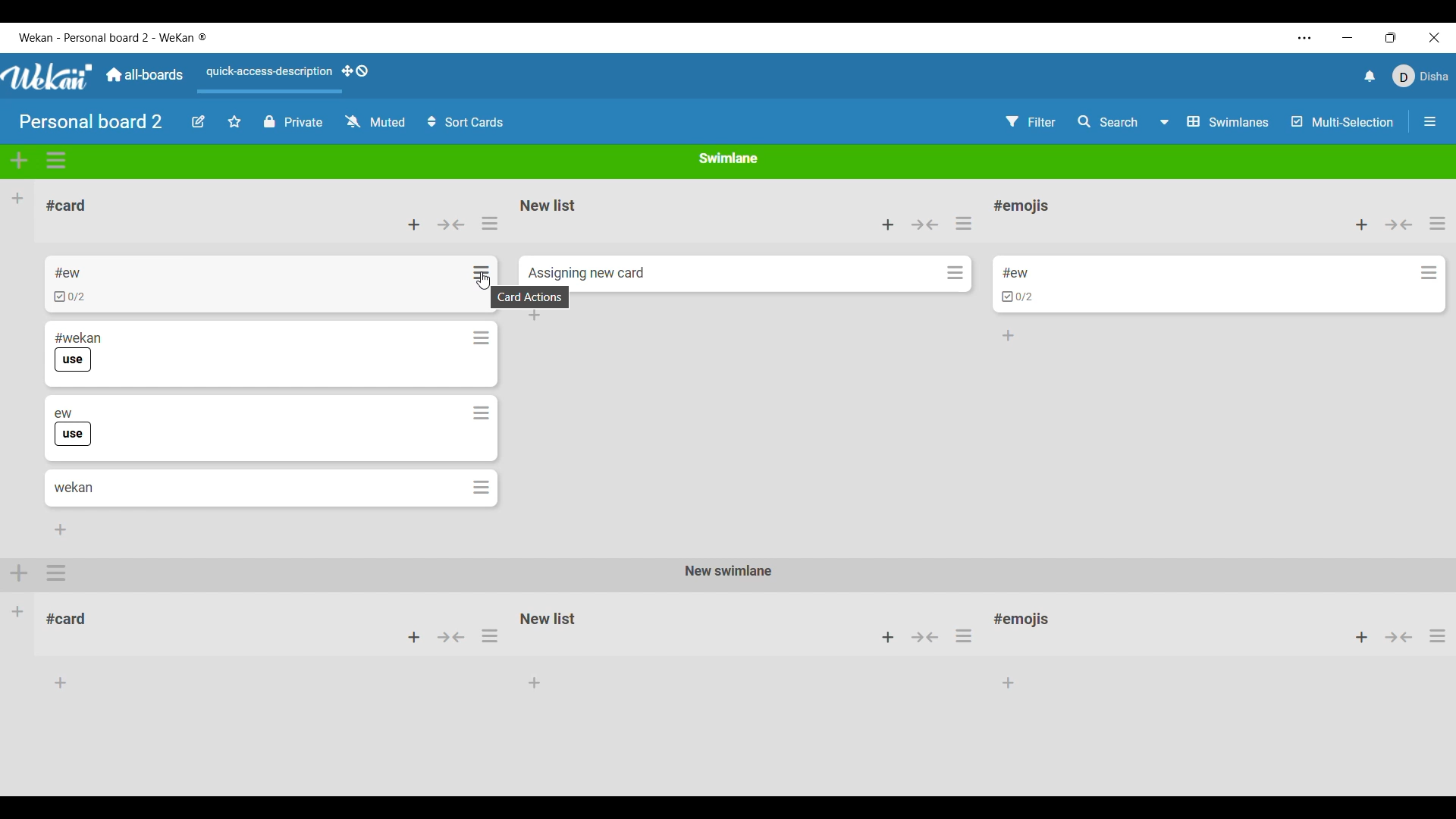 The height and width of the screenshot is (819, 1456). What do you see at coordinates (67, 206) in the screenshot?
I see `List title` at bounding box center [67, 206].